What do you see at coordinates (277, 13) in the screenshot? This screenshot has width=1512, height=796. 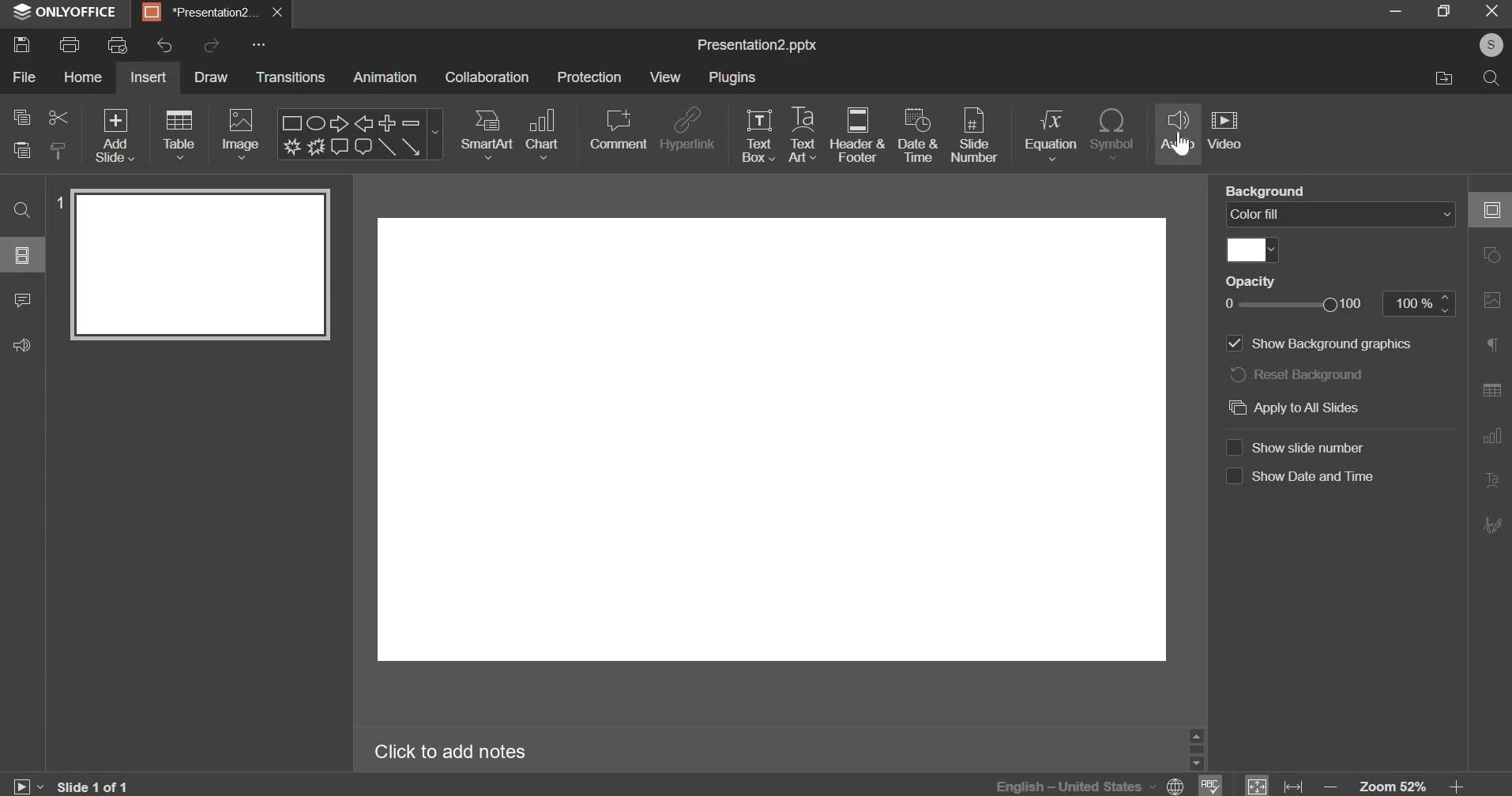 I see `close` at bounding box center [277, 13].